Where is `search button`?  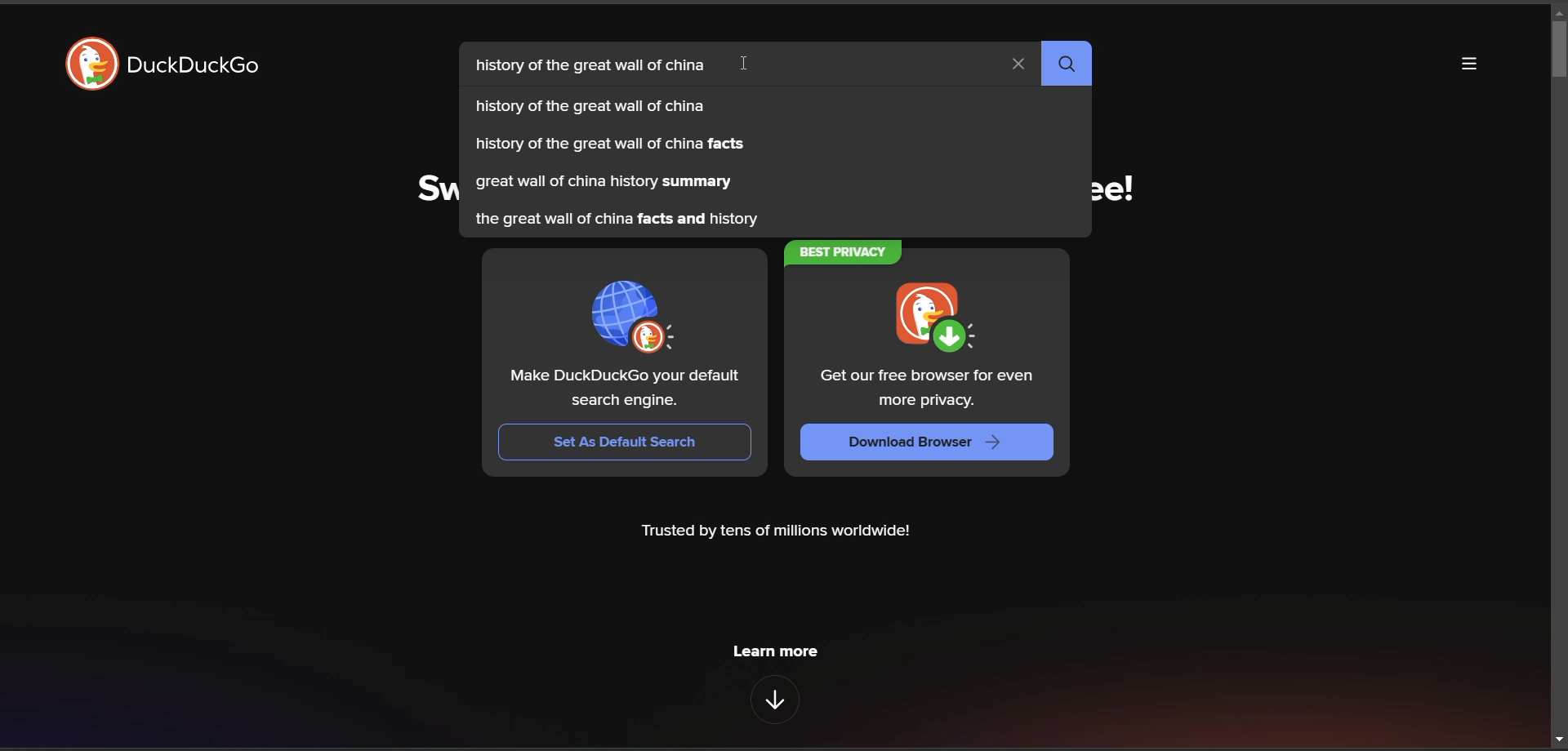
search button is located at coordinates (1067, 64).